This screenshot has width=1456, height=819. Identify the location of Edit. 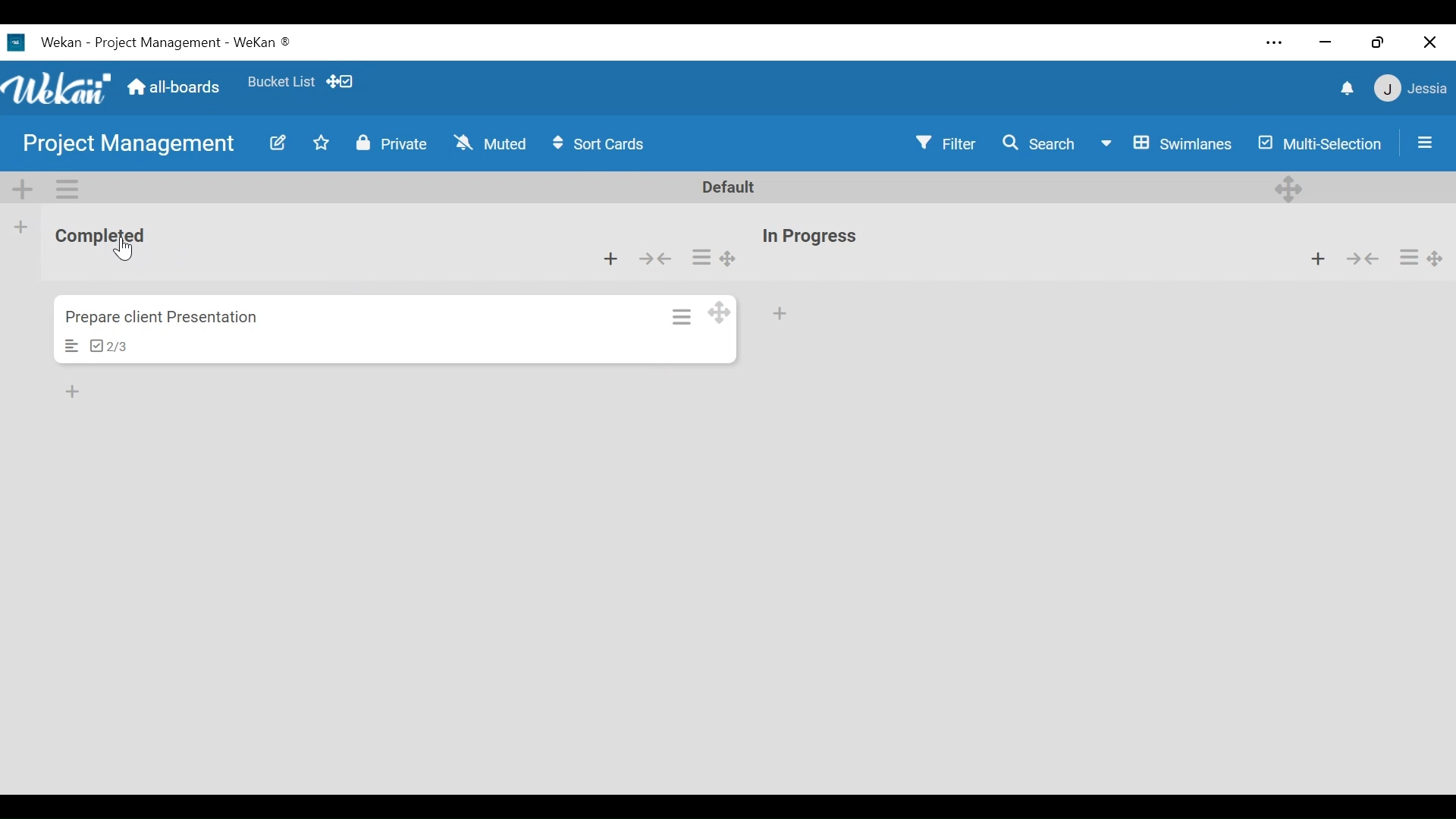
(281, 144).